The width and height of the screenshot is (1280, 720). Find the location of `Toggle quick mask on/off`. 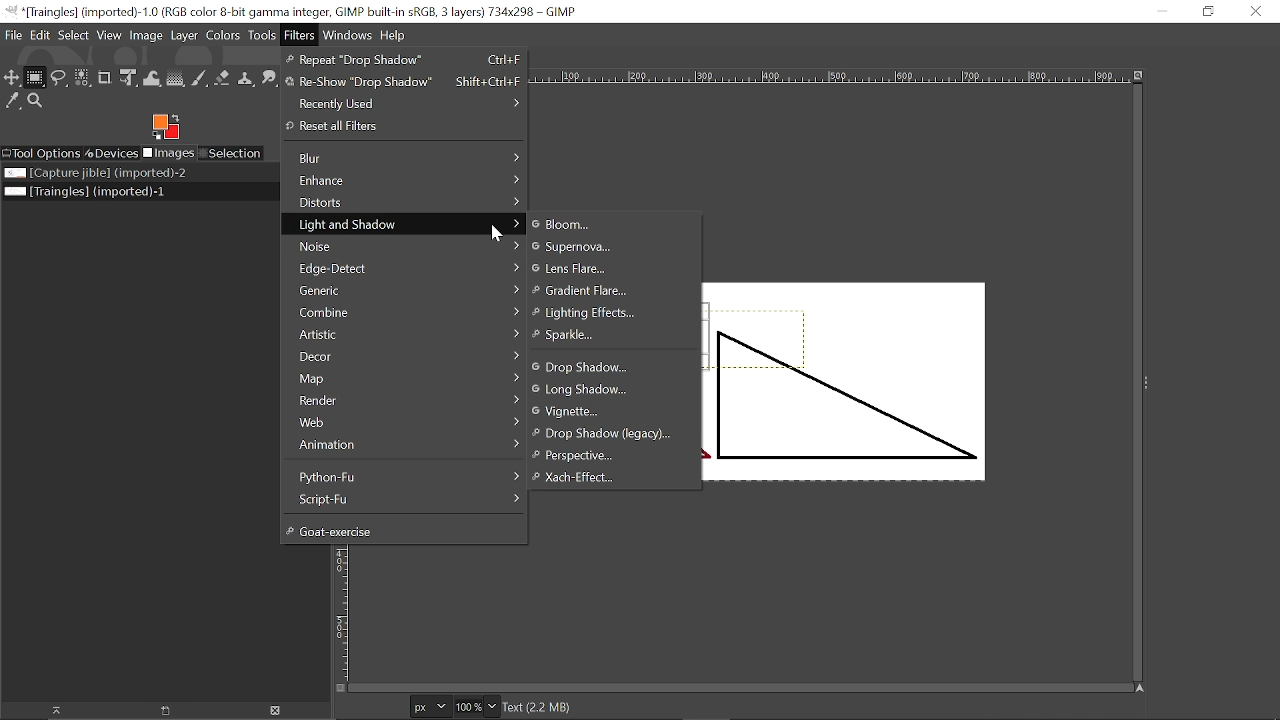

Toggle quick mask on/off is located at coordinates (341, 689).